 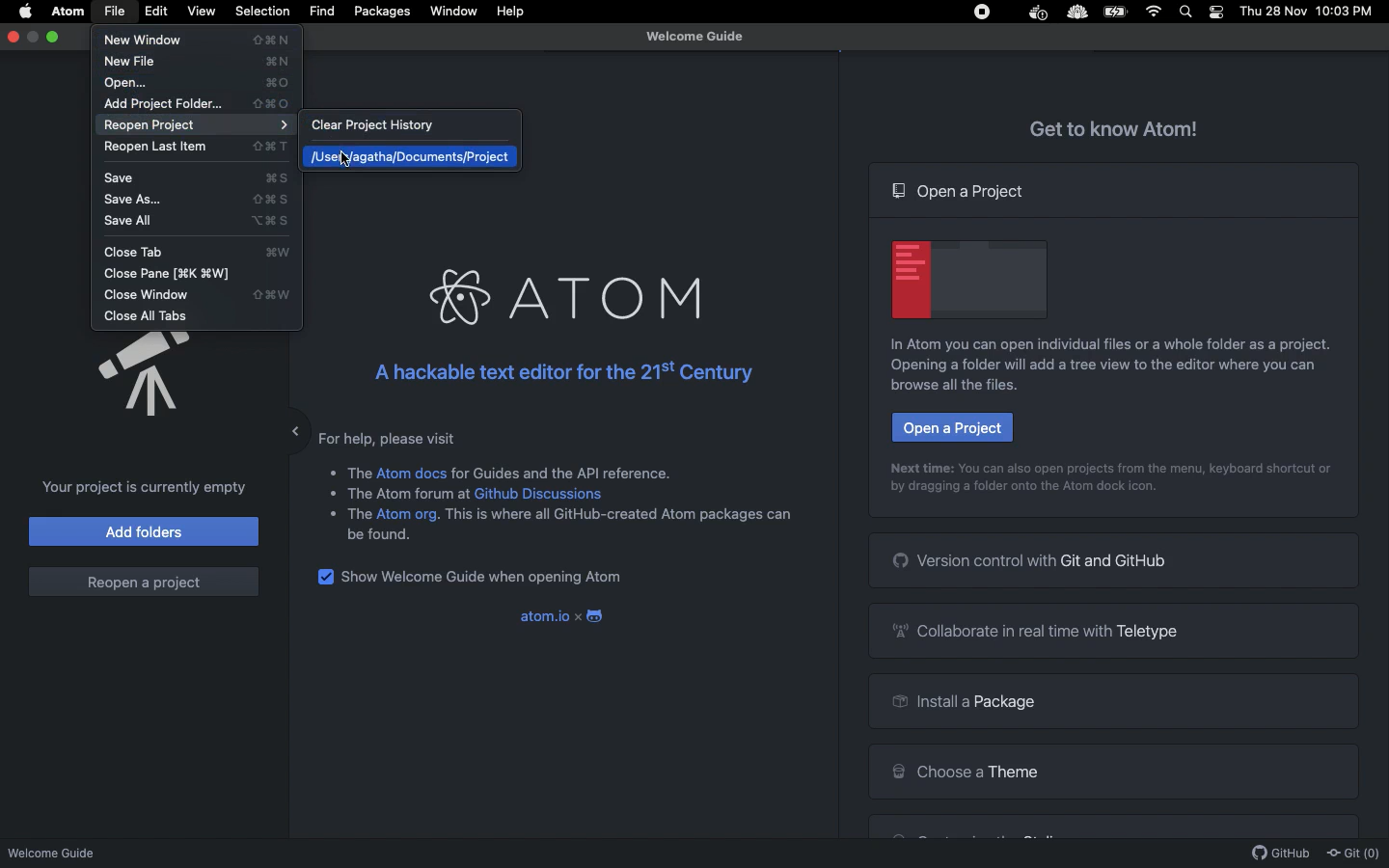 I want to click on Click, so click(x=349, y=156).